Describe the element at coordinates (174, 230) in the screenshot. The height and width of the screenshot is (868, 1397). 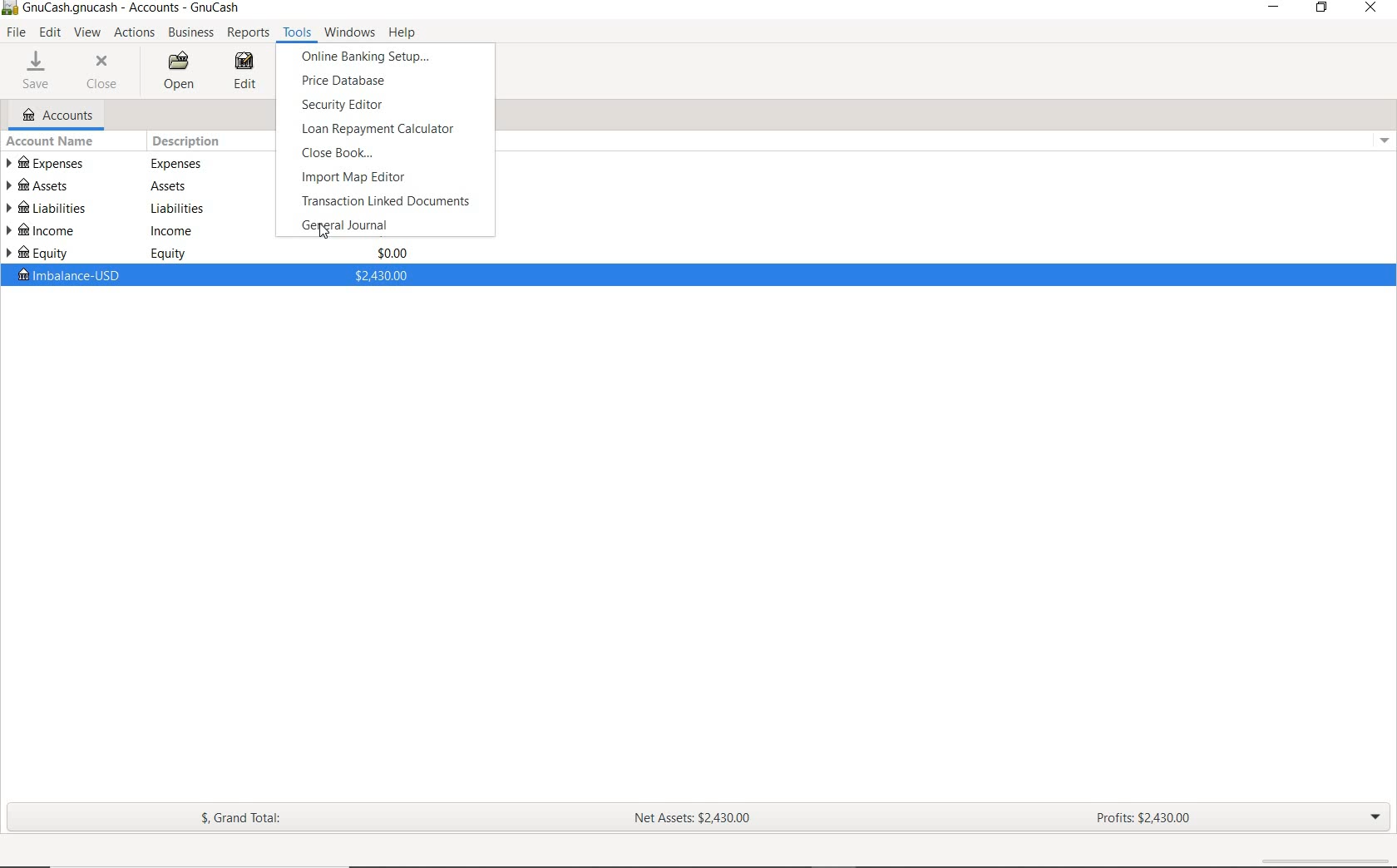
I see `` at that location.